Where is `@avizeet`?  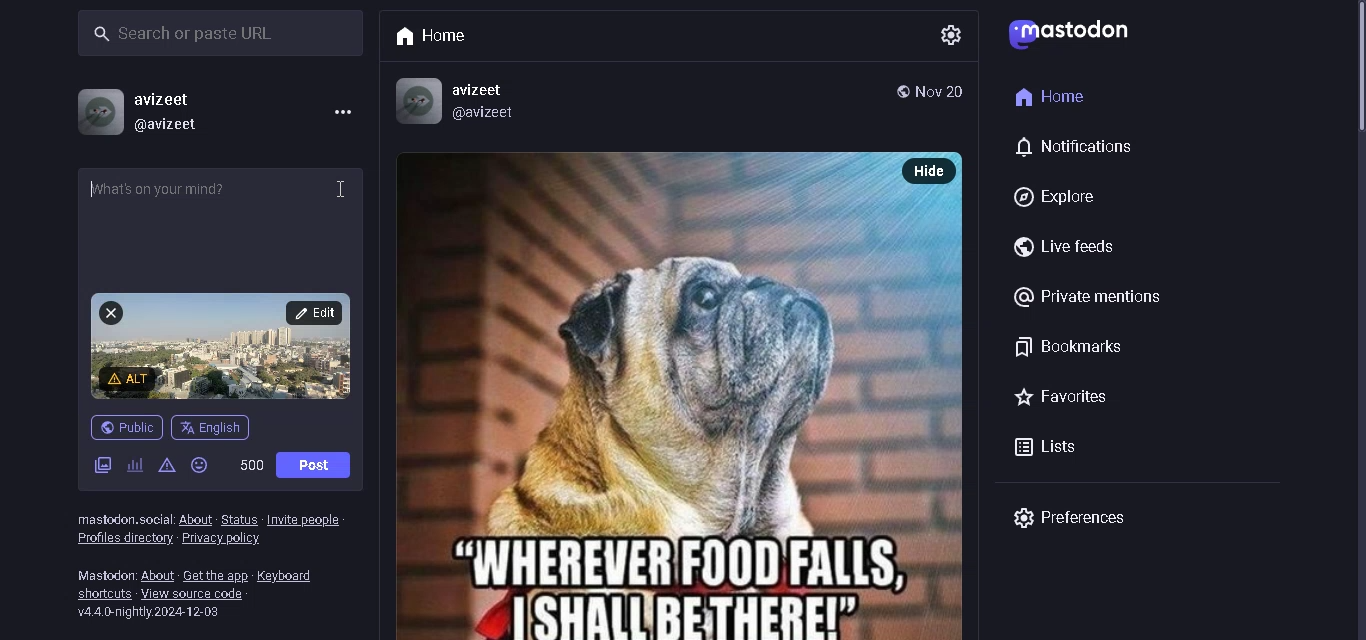
@avizeet is located at coordinates (497, 113).